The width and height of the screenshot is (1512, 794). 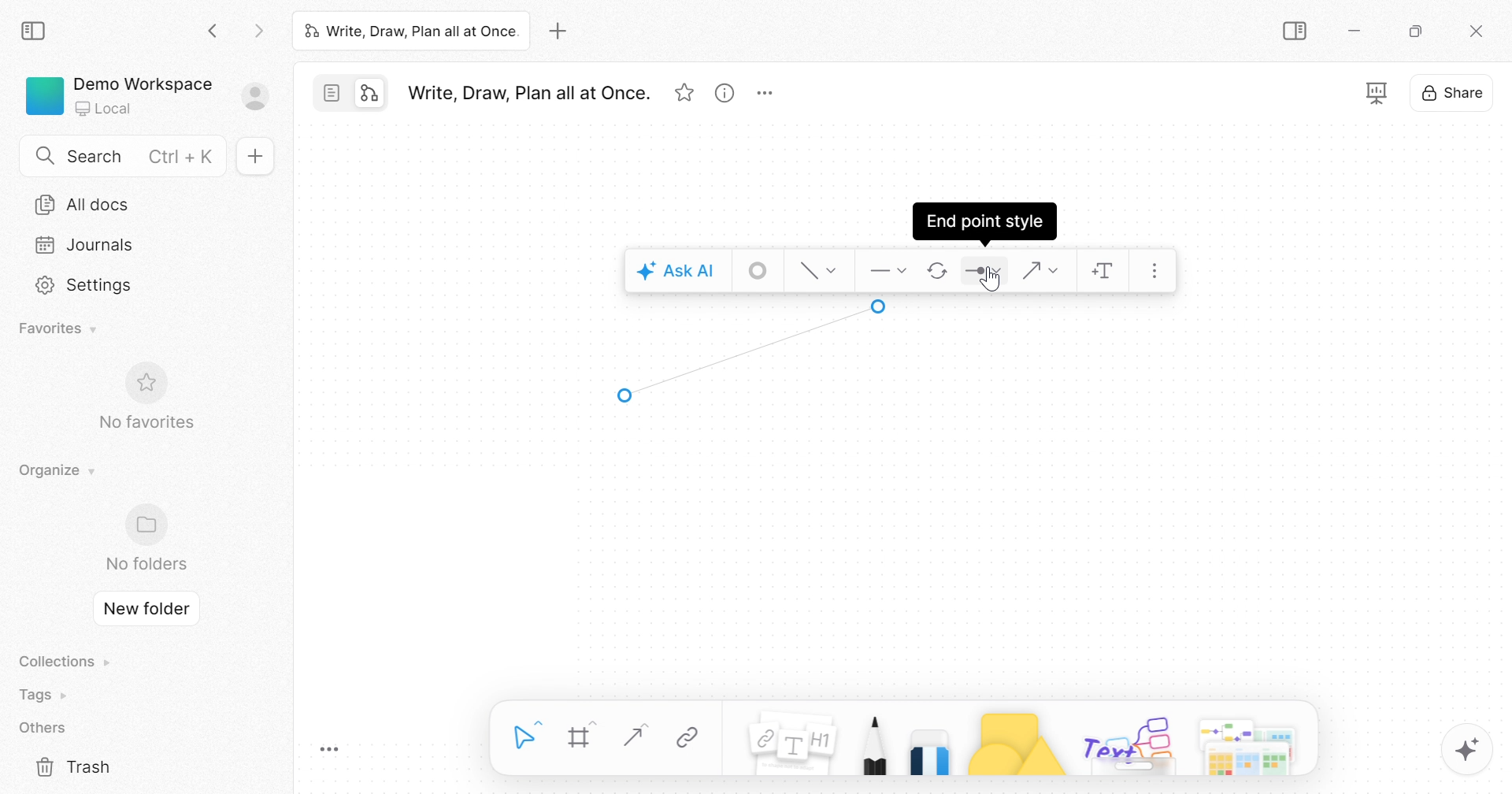 I want to click on Style, so click(x=821, y=269).